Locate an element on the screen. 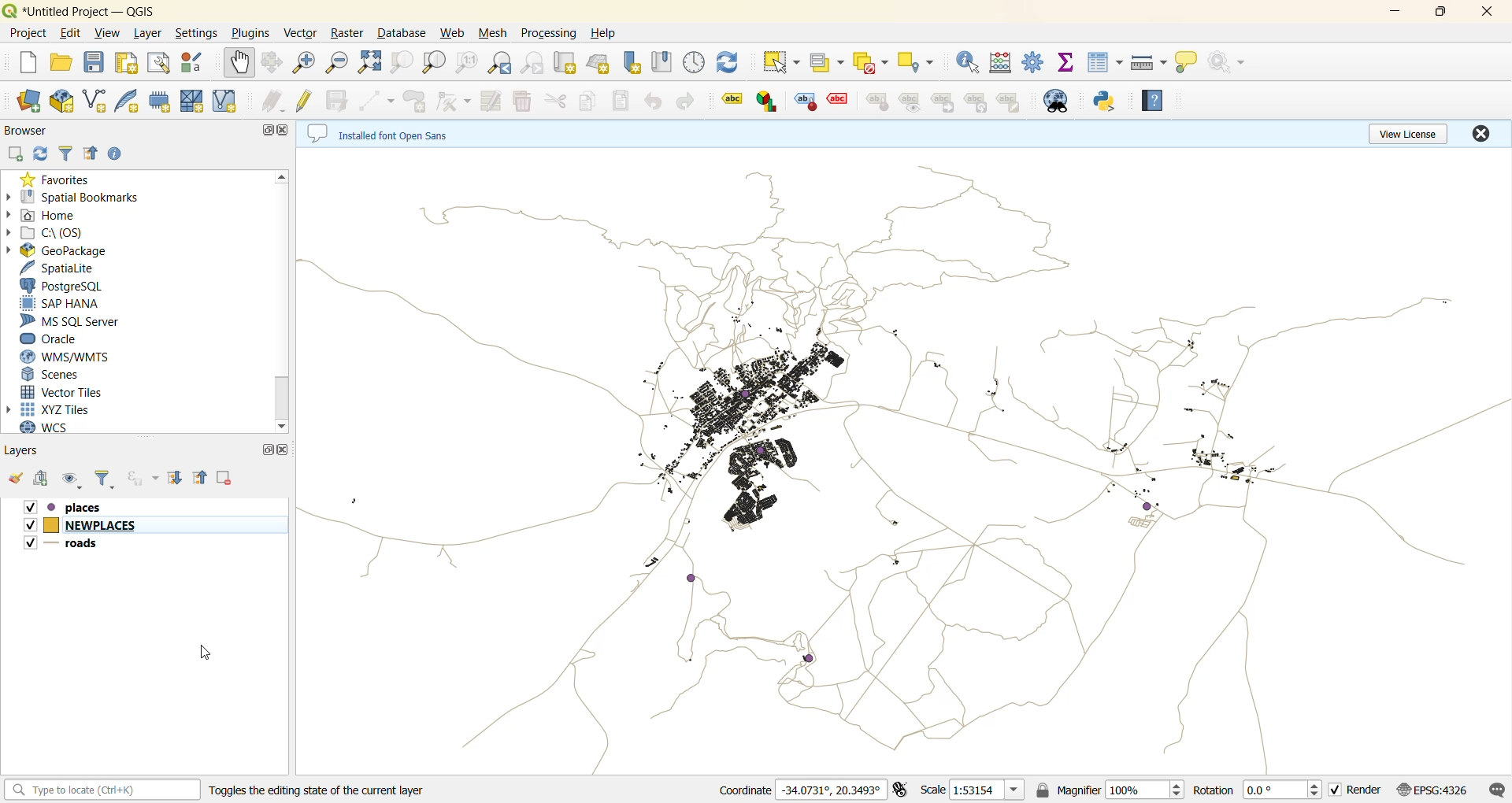 The image size is (1512, 803). maximize is located at coordinates (1440, 13).